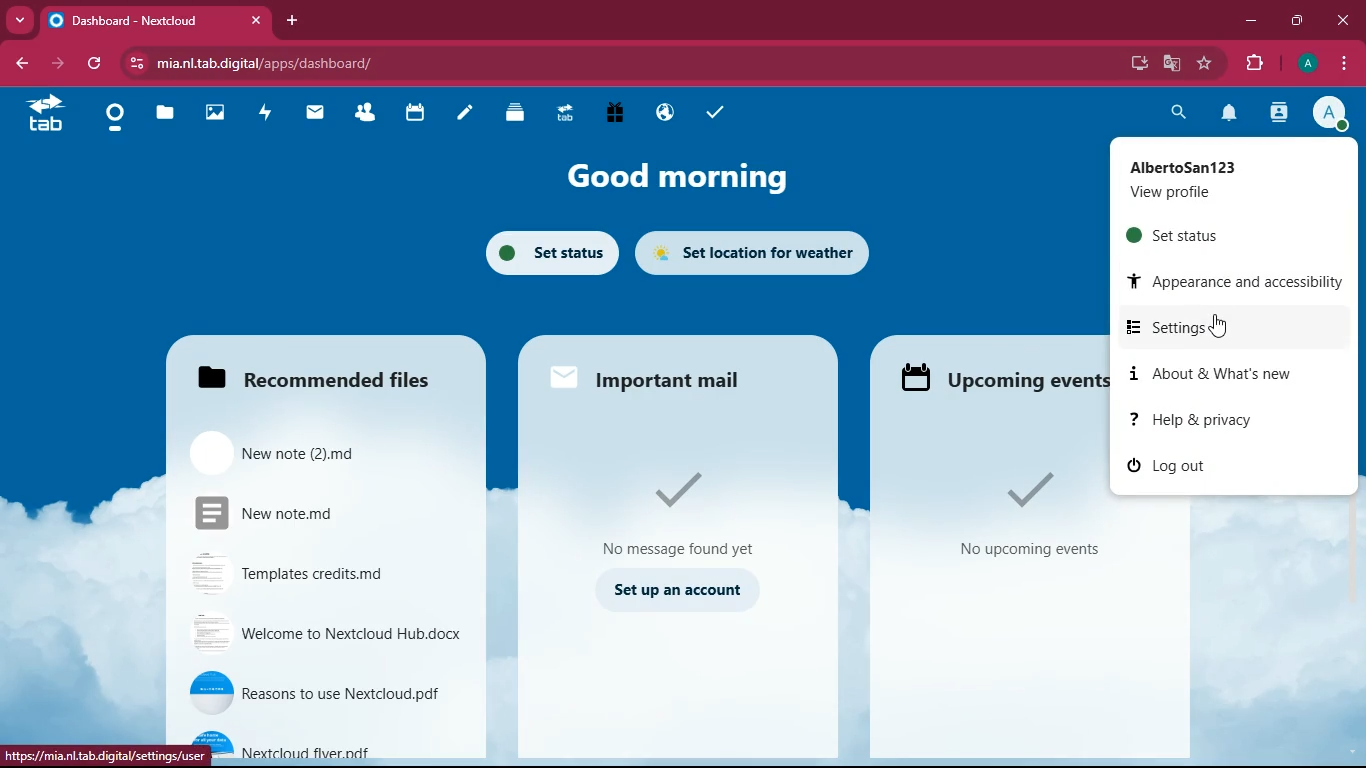  I want to click on add tab, so click(291, 20).